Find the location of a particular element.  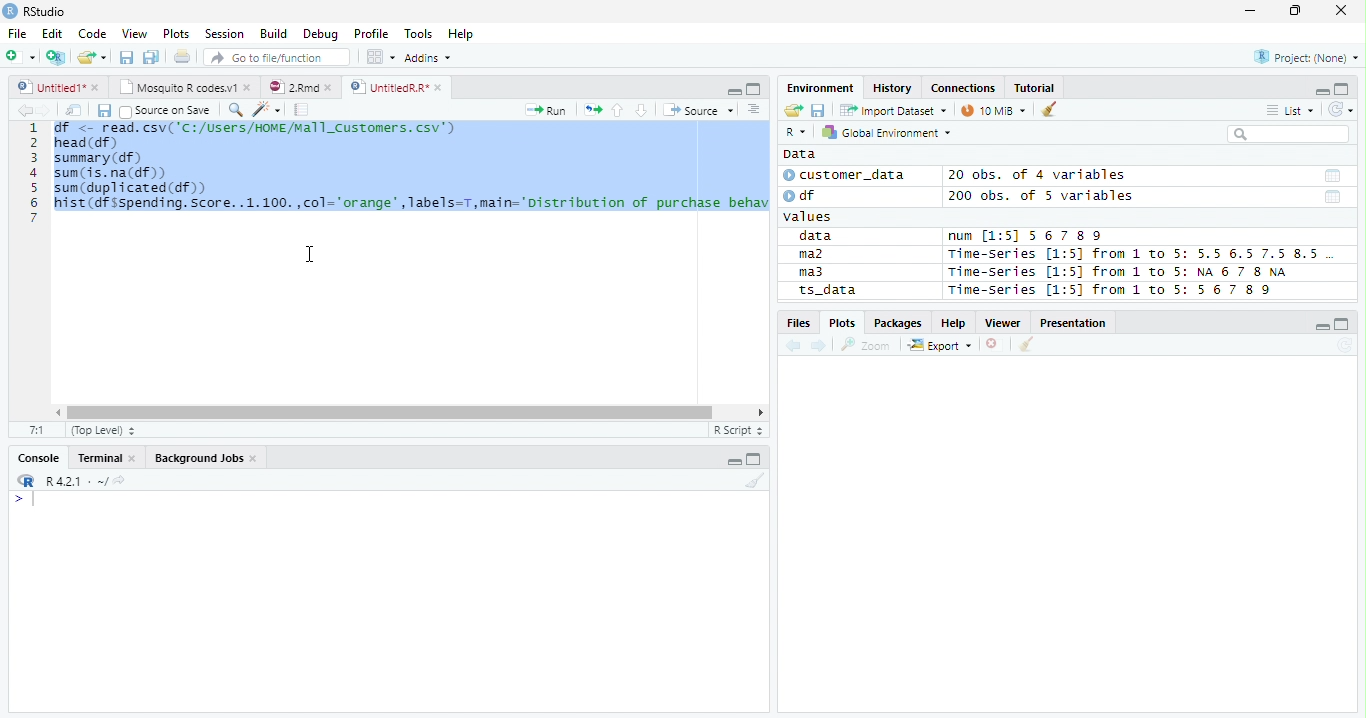

Edit is located at coordinates (51, 32).